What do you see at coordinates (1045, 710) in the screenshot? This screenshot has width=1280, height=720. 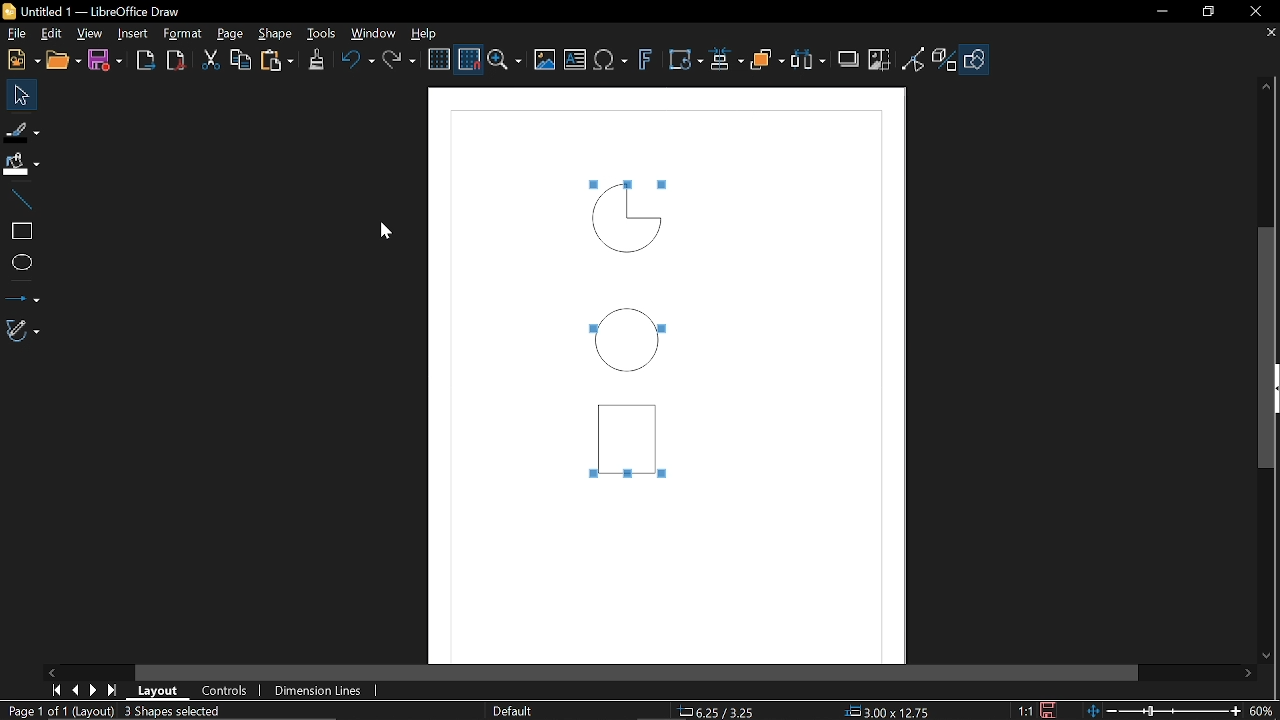 I see `Save` at bounding box center [1045, 710].